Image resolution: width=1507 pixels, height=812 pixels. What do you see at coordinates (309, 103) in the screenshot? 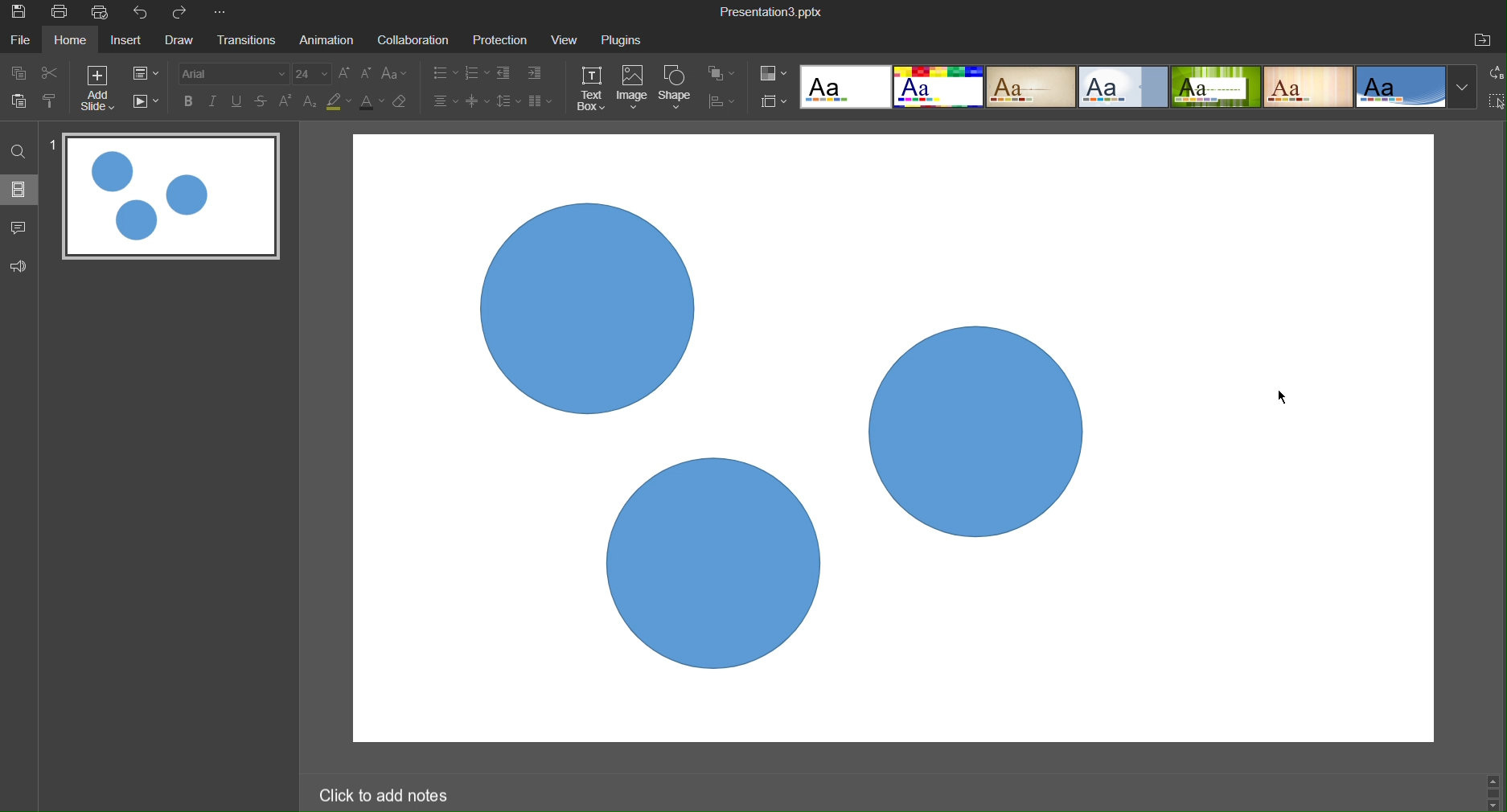
I see `Subscript` at bounding box center [309, 103].